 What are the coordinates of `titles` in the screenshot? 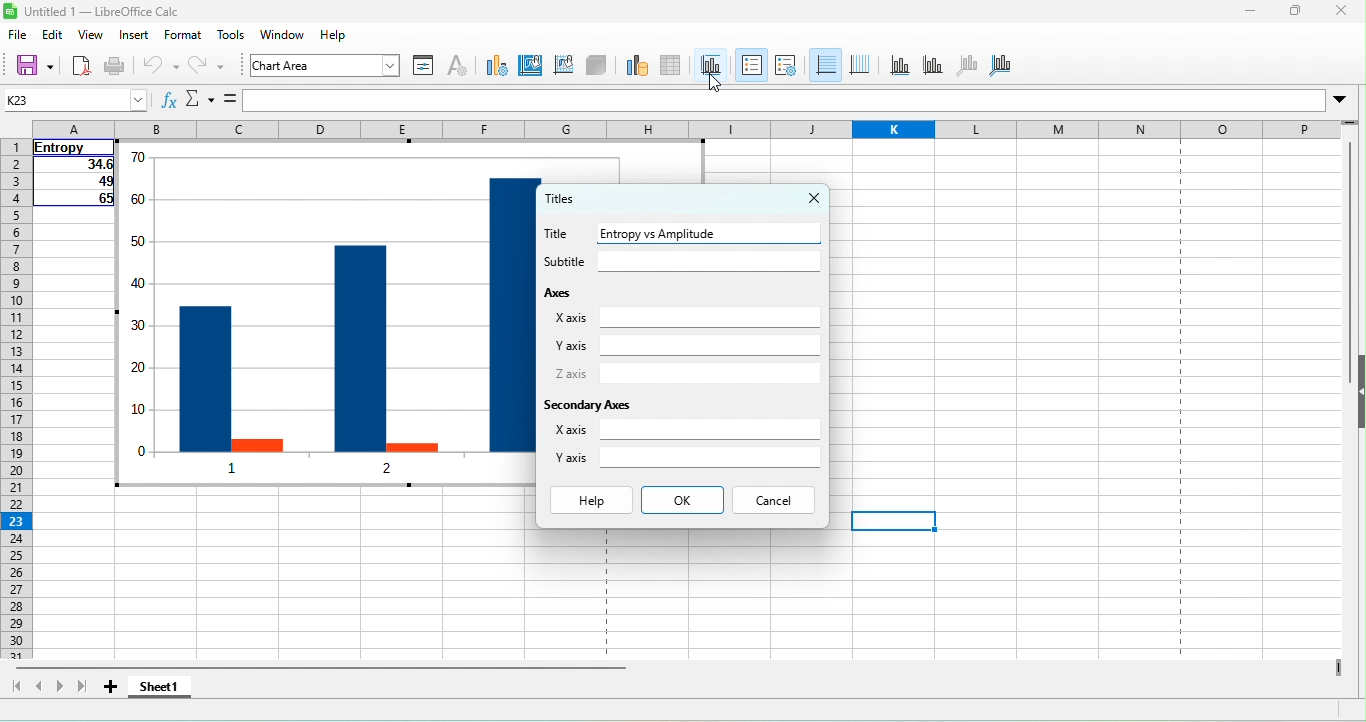 It's located at (711, 59).